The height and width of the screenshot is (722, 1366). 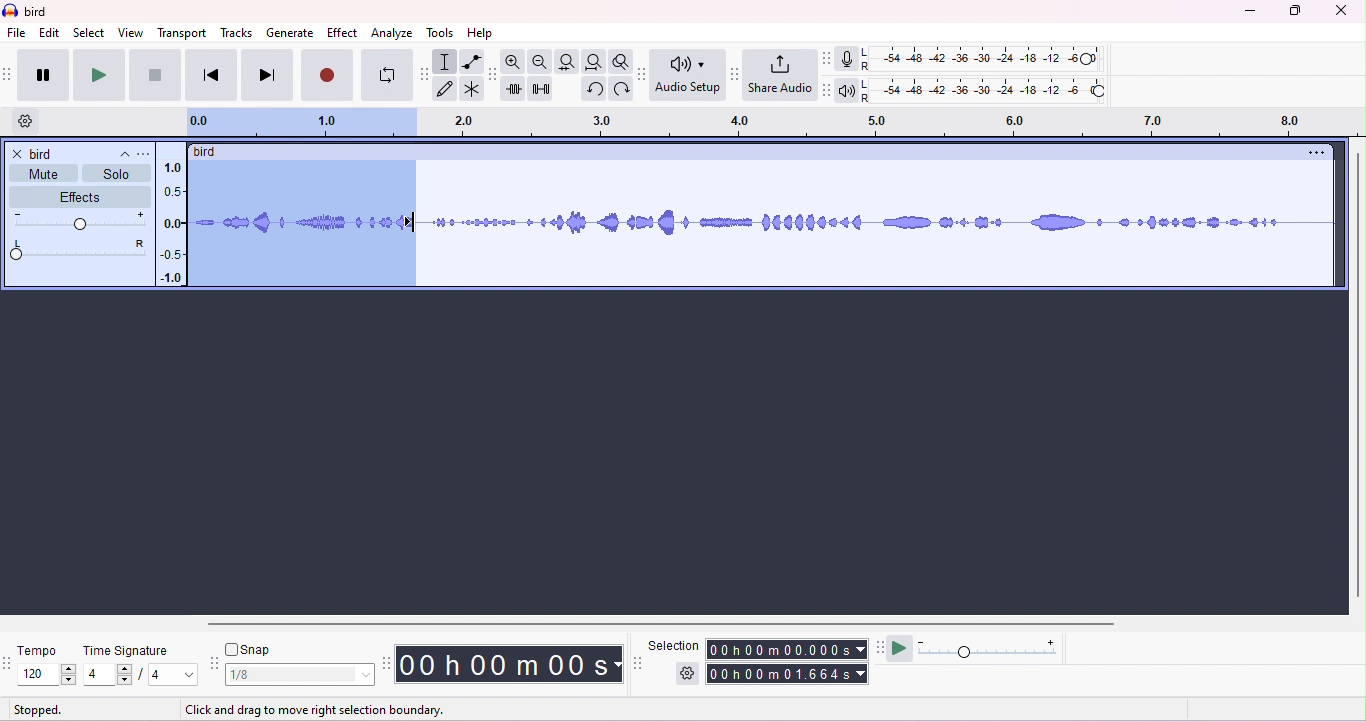 What do you see at coordinates (42, 174) in the screenshot?
I see `mute` at bounding box center [42, 174].